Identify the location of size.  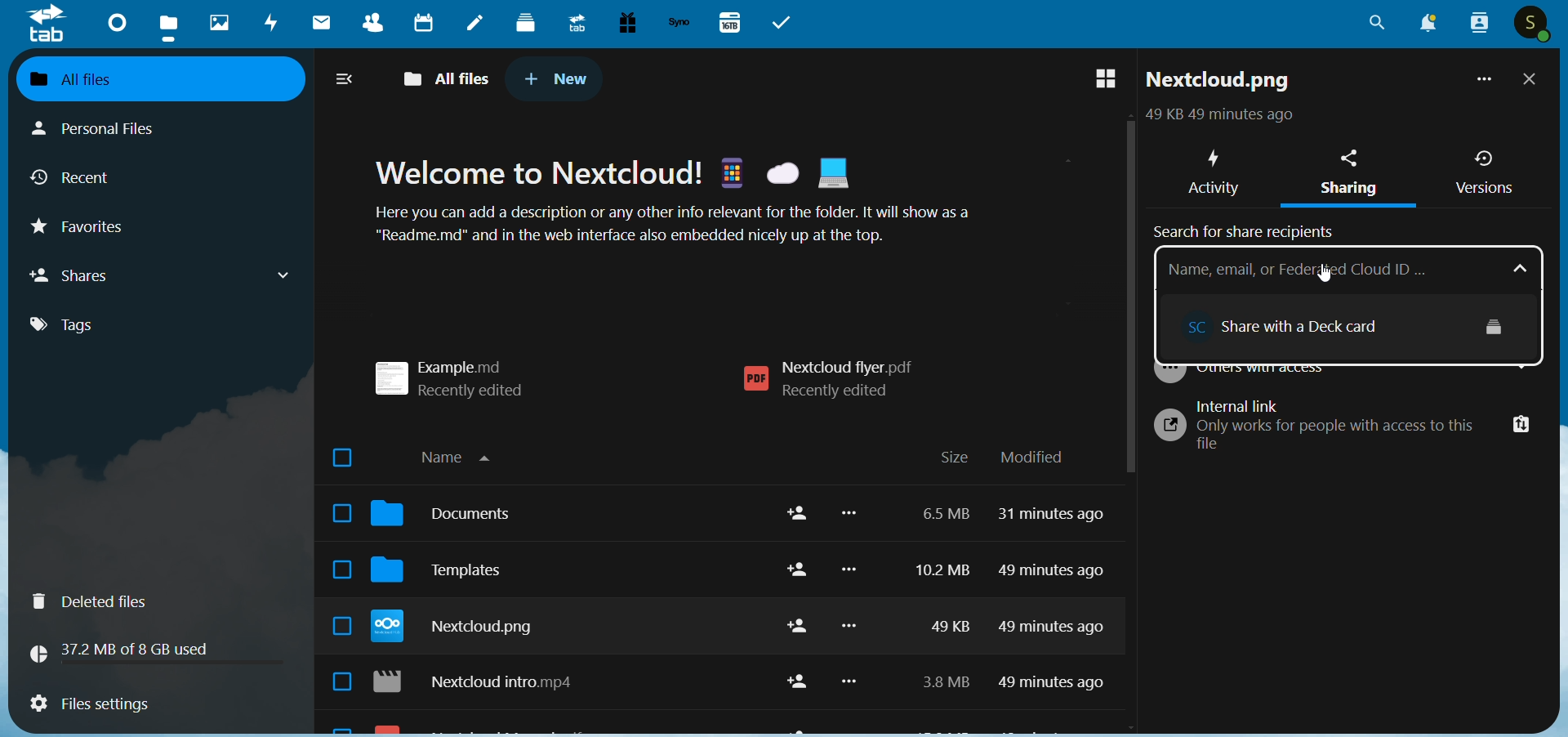
(954, 458).